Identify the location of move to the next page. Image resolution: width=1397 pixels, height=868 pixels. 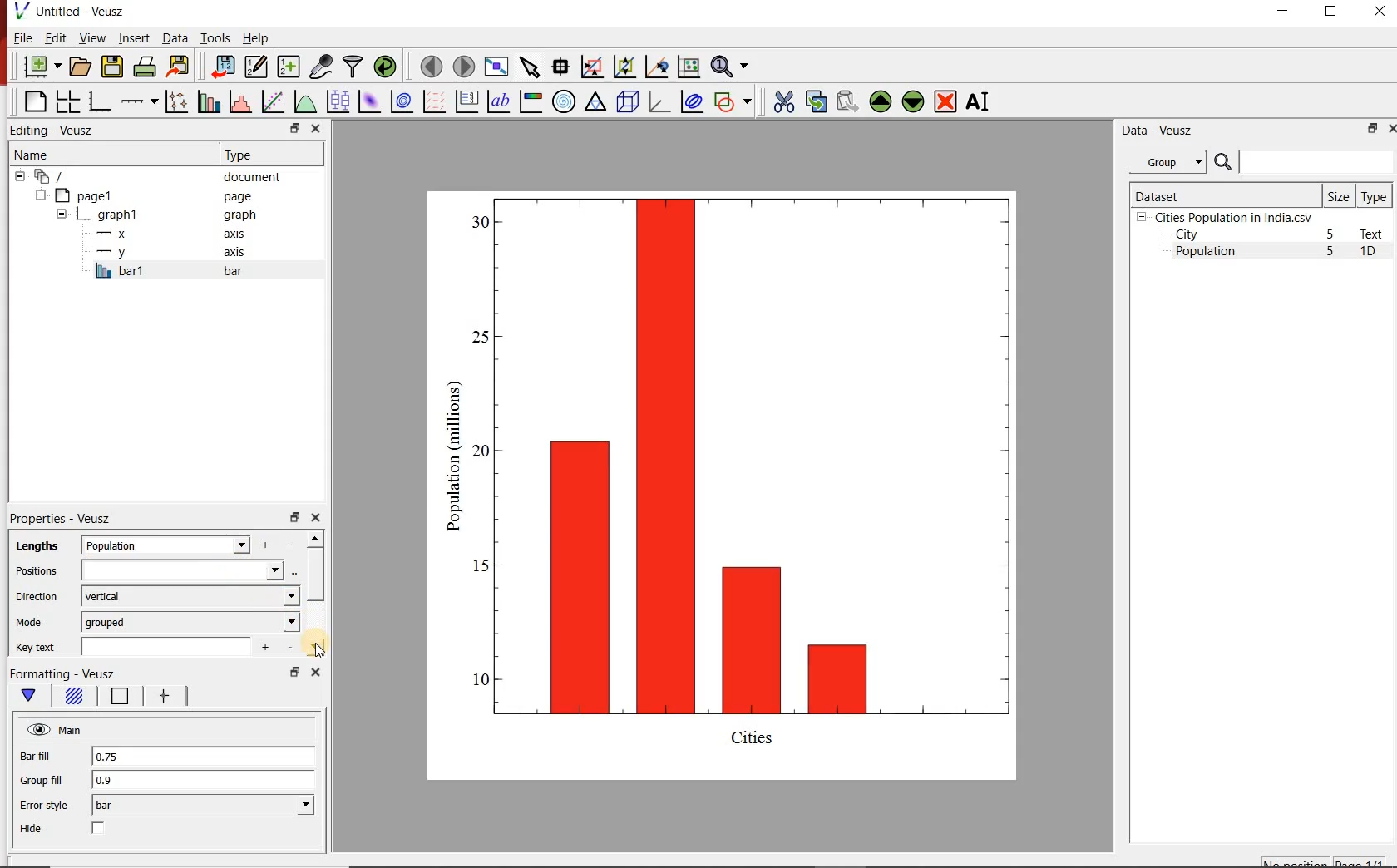
(462, 66).